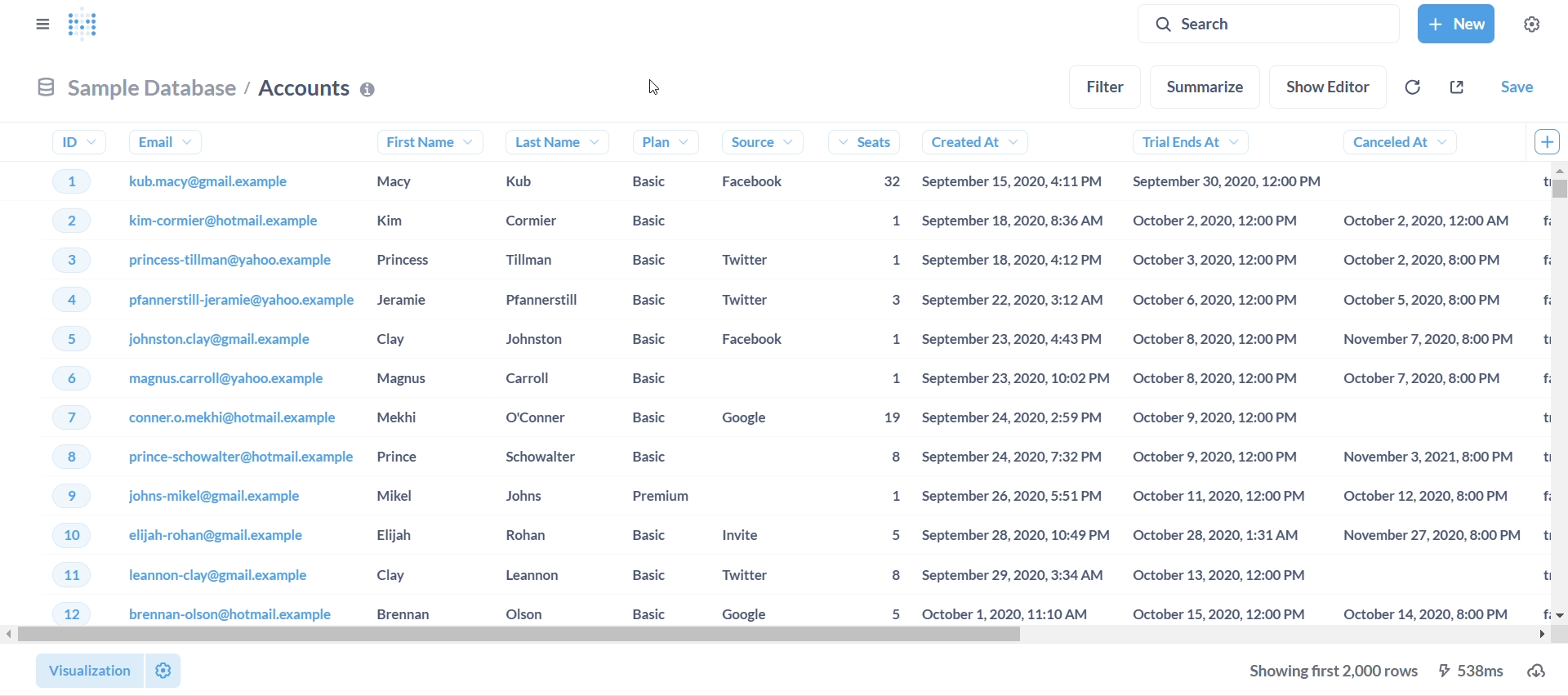 This screenshot has width=1568, height=696. Describe the element at coordinates (865, 373) in the screenshot. I see `seats` at that location.